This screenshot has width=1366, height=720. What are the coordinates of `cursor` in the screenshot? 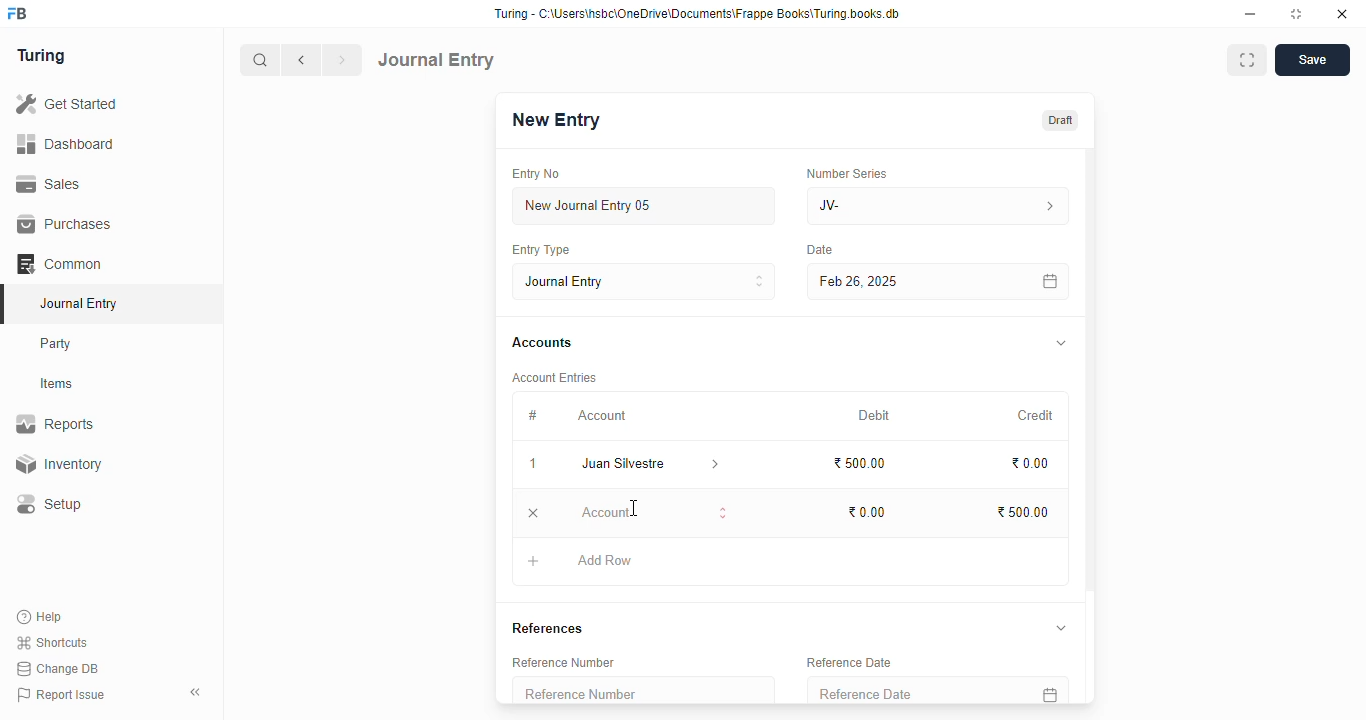 It's located at (634, 508).